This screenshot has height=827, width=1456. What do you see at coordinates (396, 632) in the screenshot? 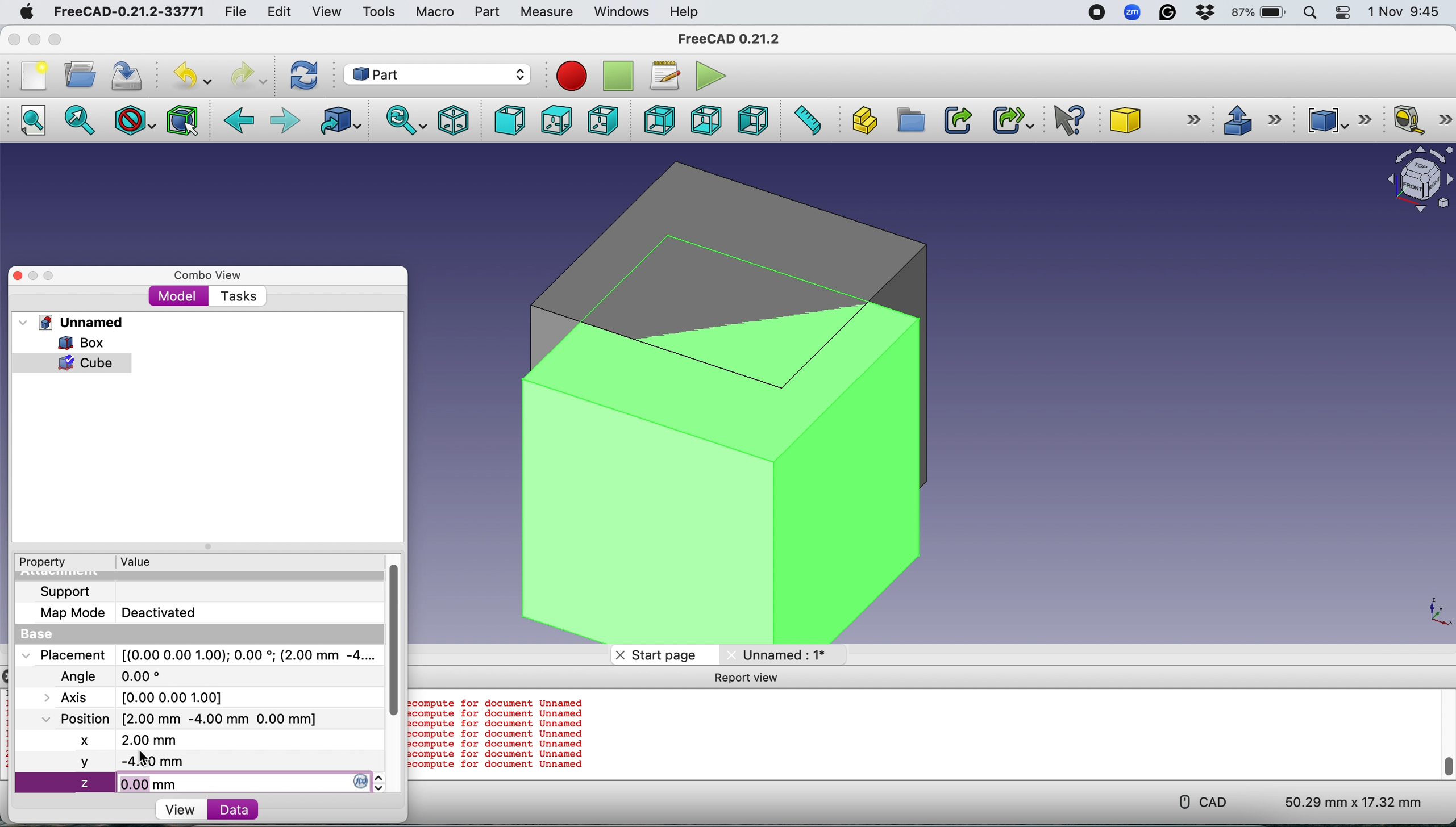
I see `vertical scroll bar` at bounding box center [396, 632].